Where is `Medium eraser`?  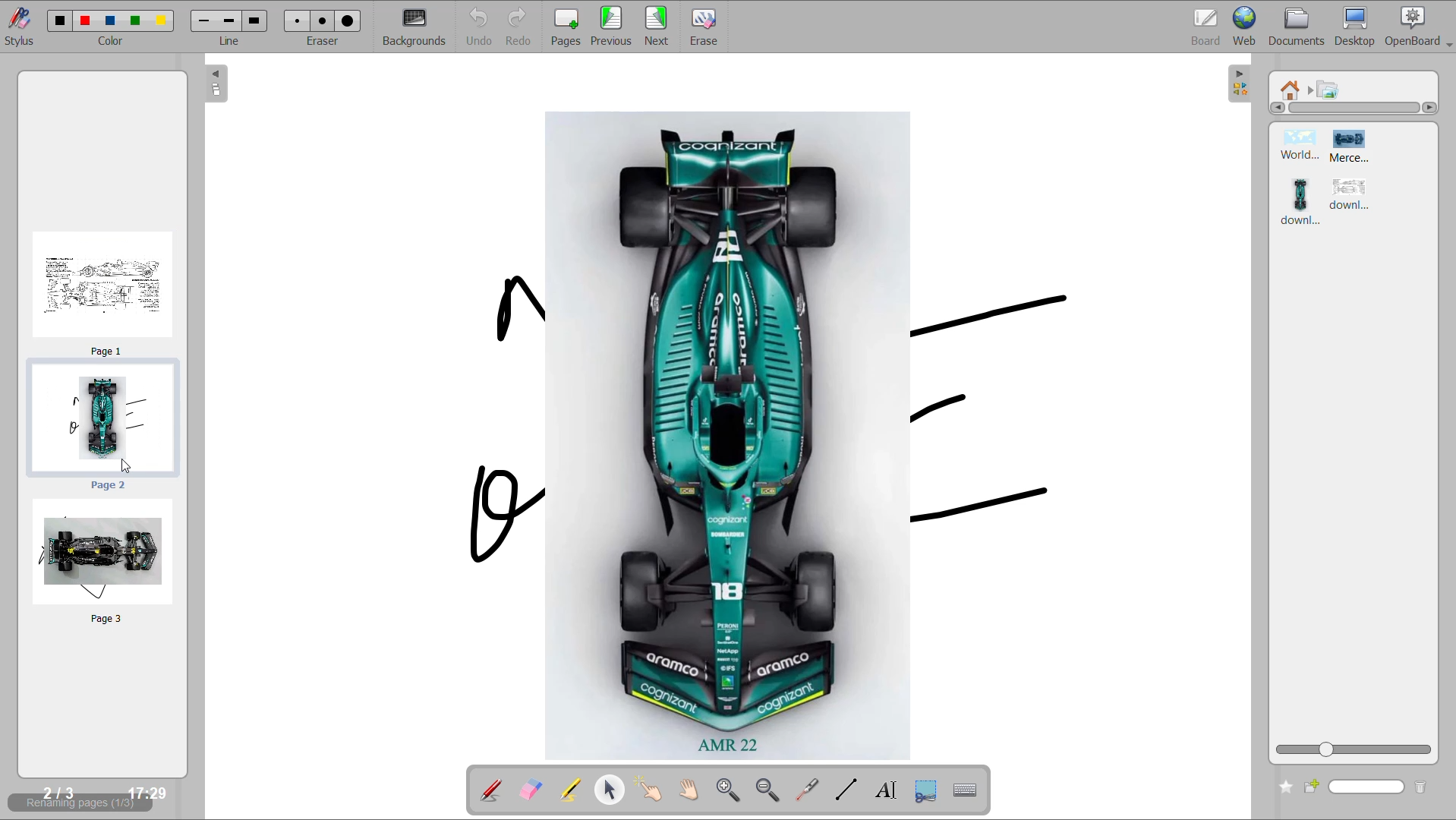
Medium eraser is located at coordinates (325, 20).